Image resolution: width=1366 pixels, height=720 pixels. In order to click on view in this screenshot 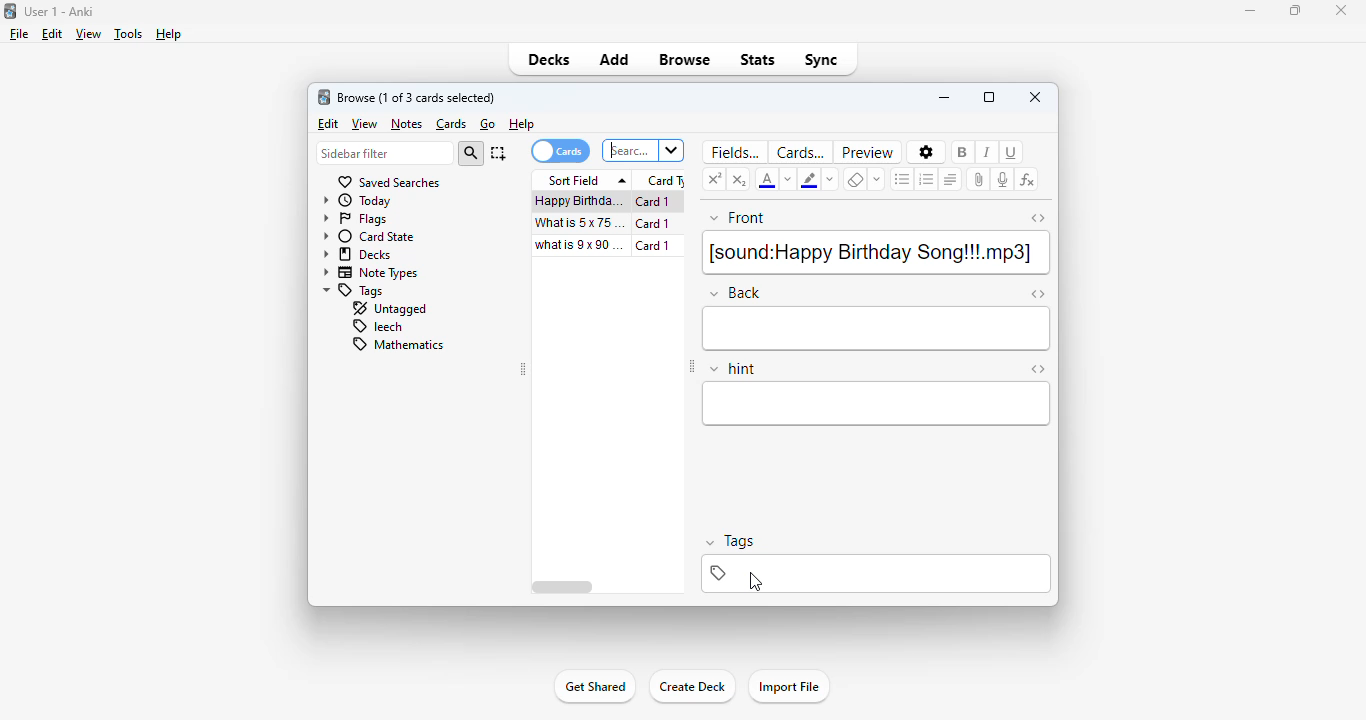, I will do `click(89, 34)`.